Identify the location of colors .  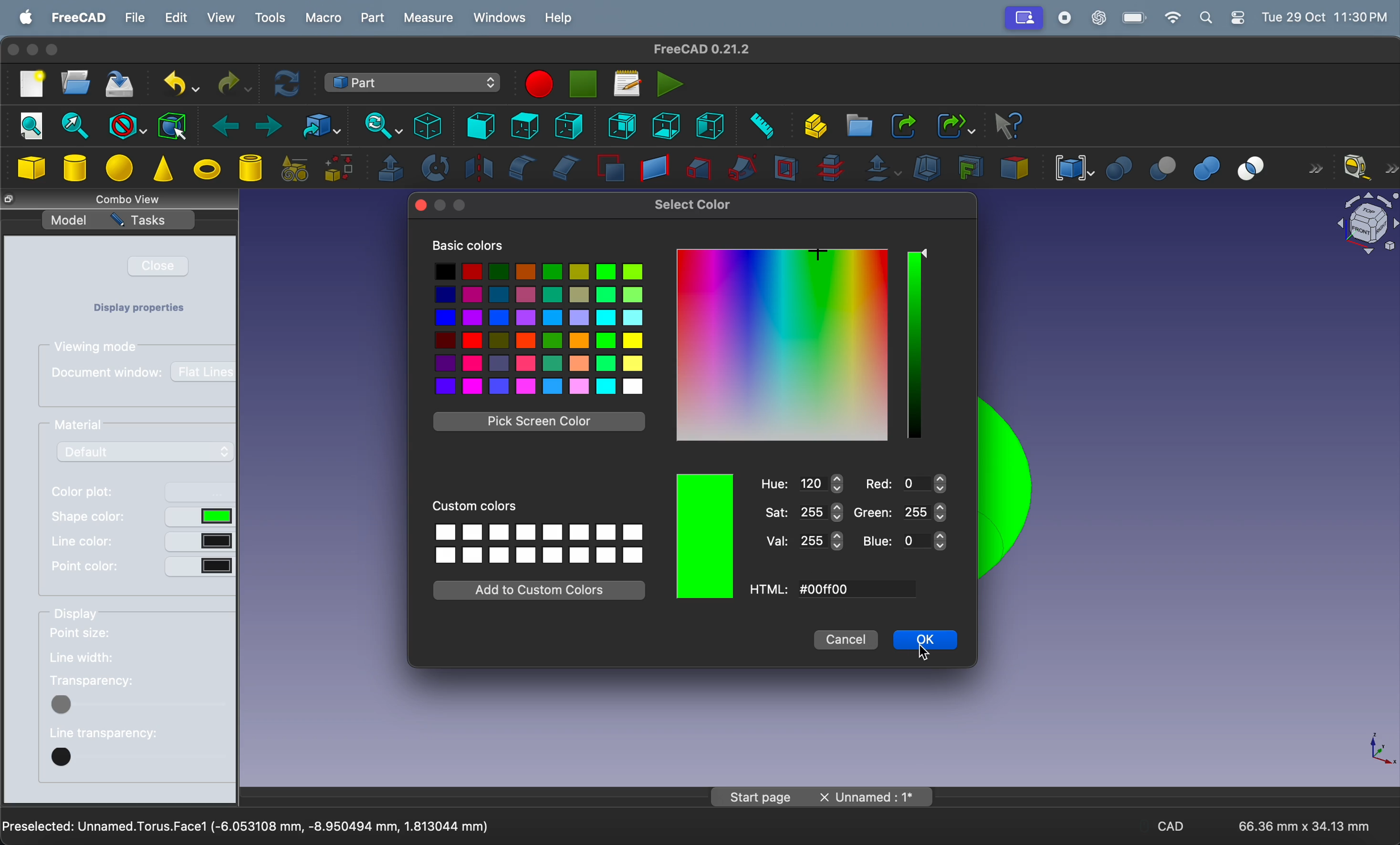
(705, 534).